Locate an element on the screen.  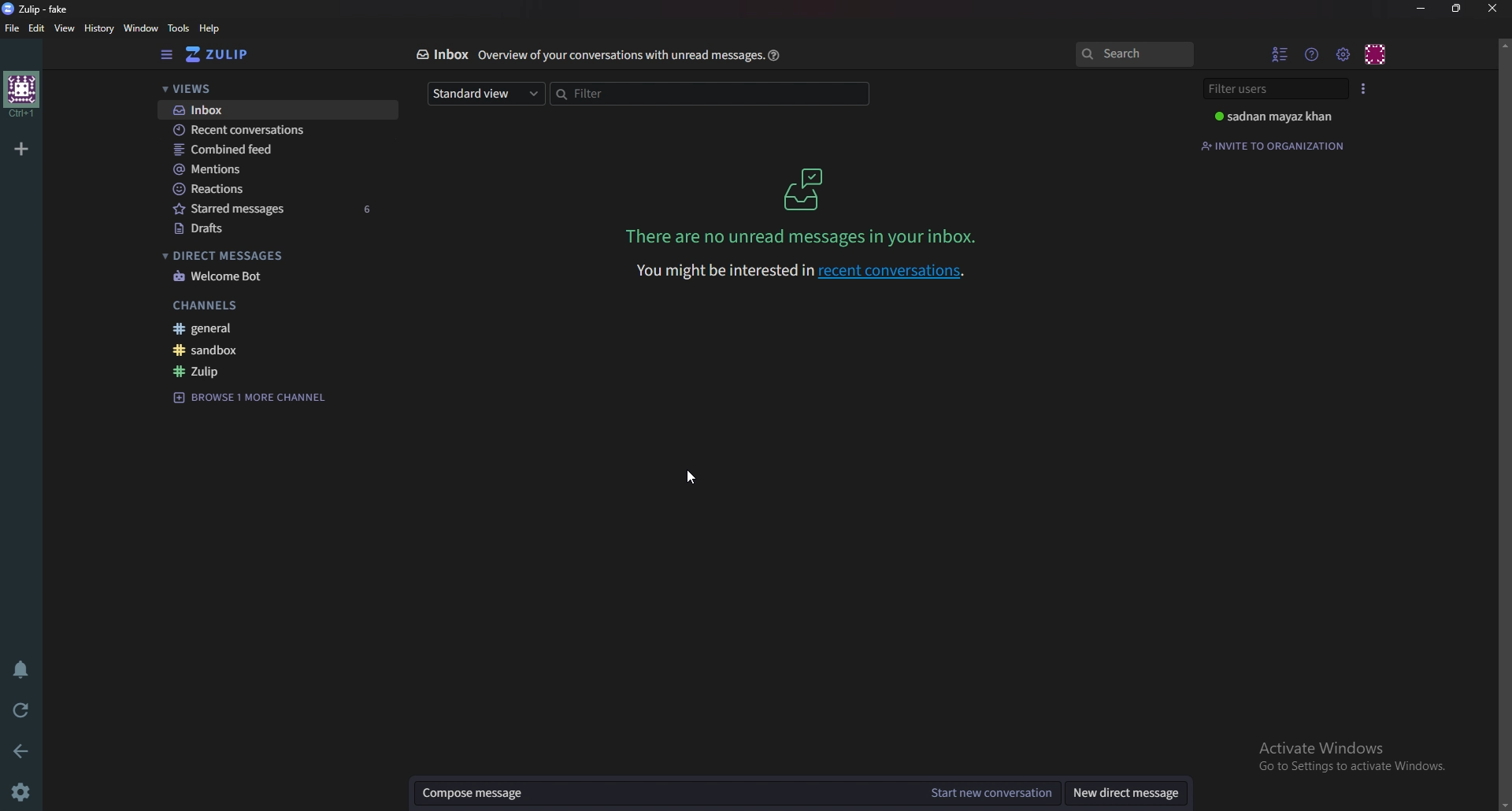
Overview of your conversations with unread message: is located at coordinates (619, 57).